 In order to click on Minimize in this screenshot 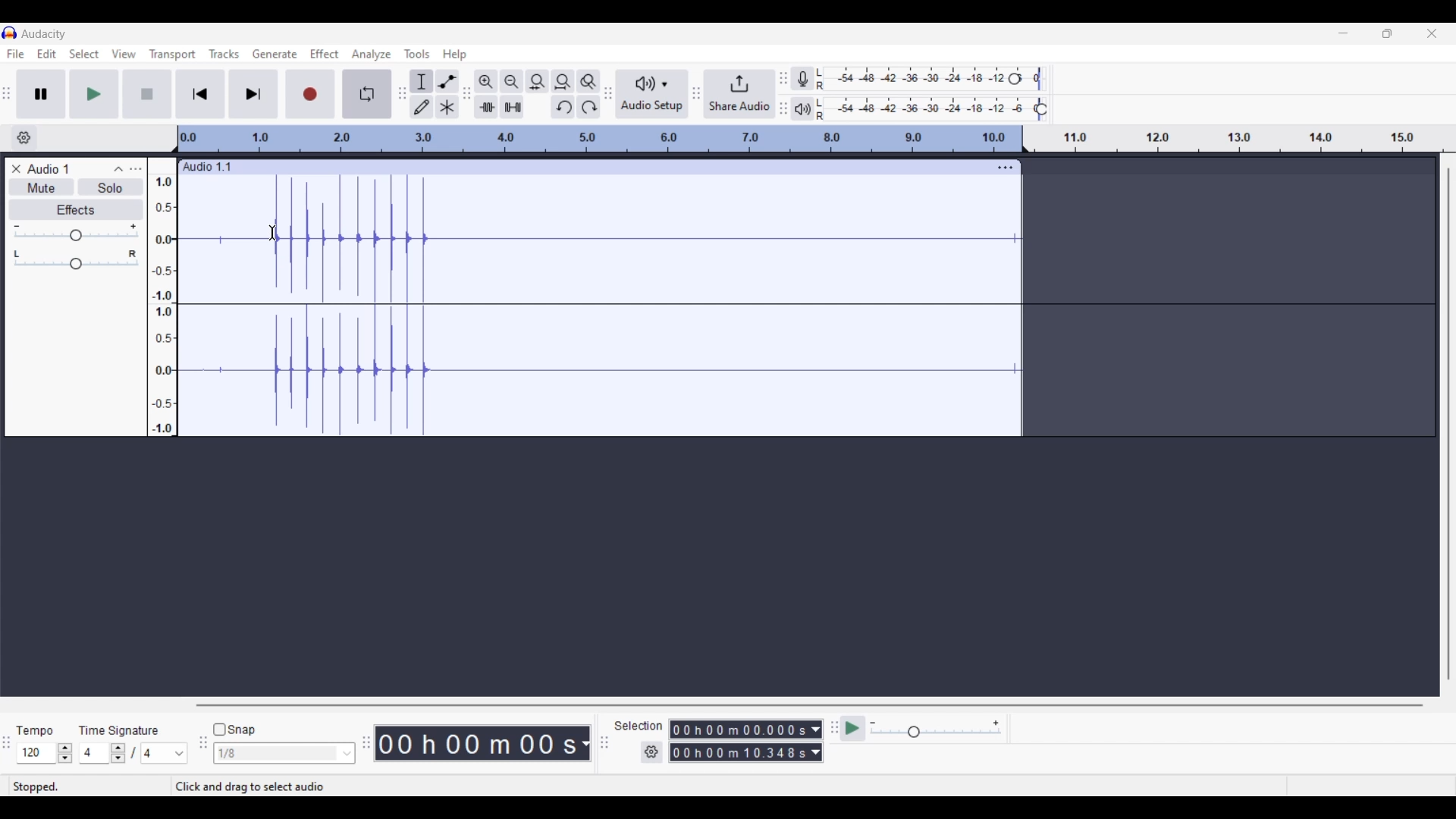, I will do `click(1343, 33)`.